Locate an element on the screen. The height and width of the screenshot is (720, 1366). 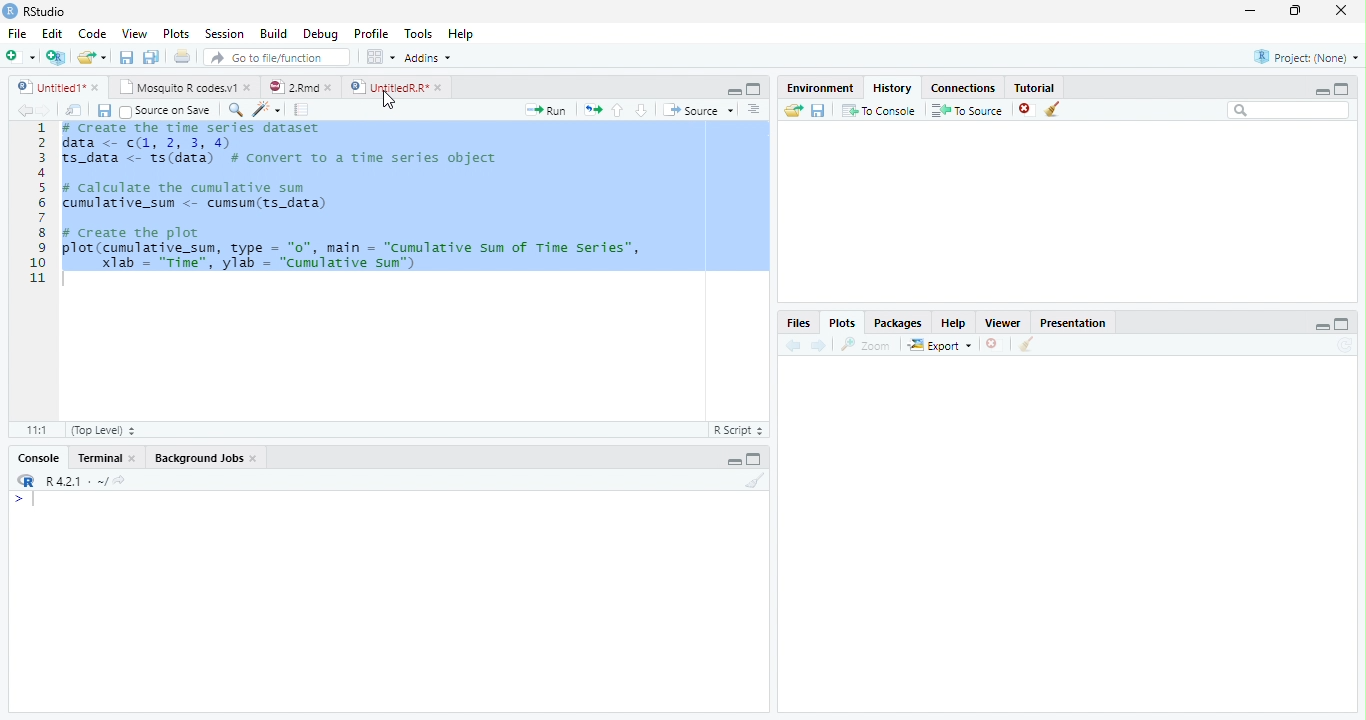
Debug is located at coordinates (324, 35).